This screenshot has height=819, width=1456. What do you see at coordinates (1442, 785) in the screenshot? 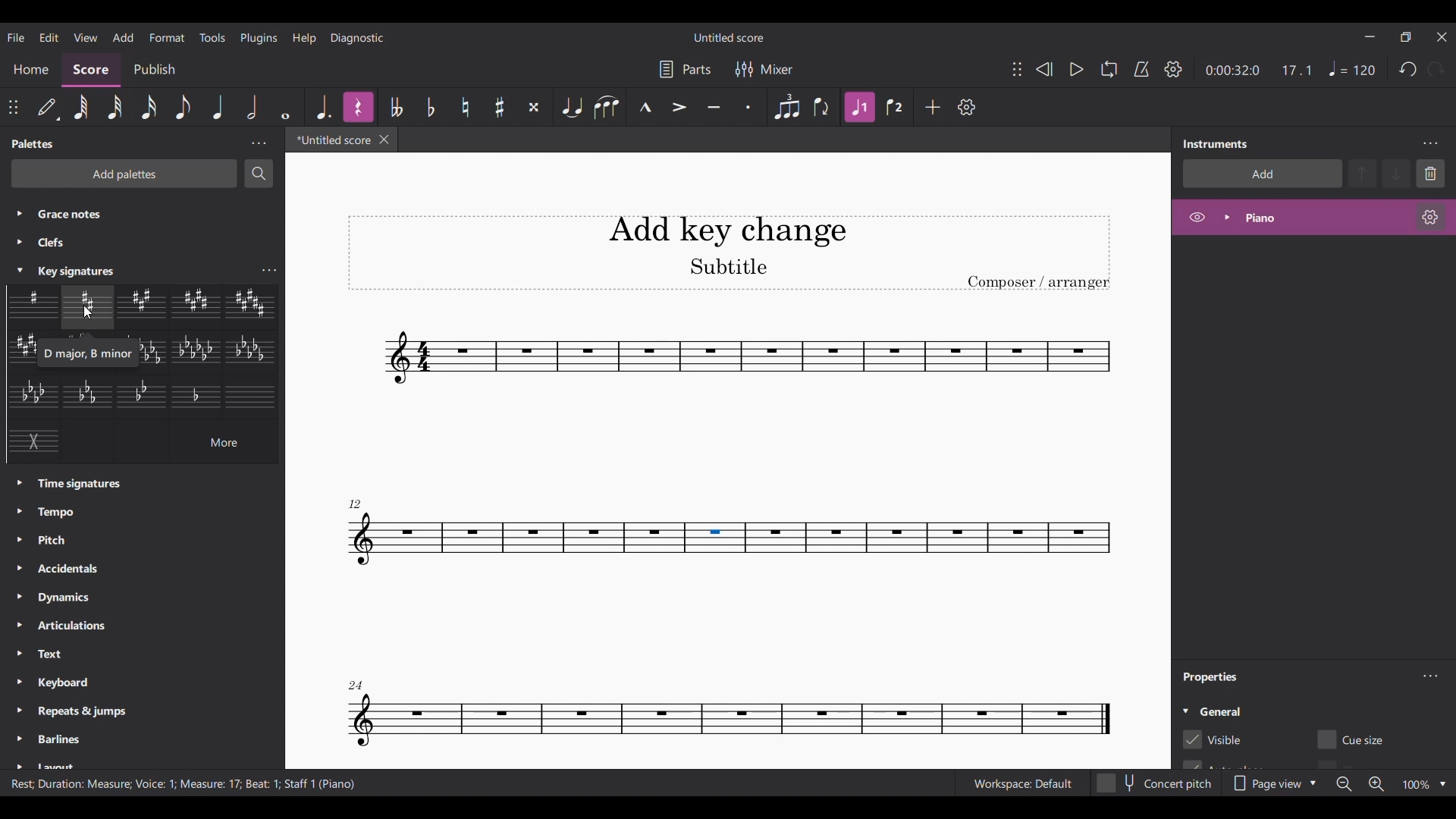
I see `Zoom factor options` at bounding box center [1442, 785].